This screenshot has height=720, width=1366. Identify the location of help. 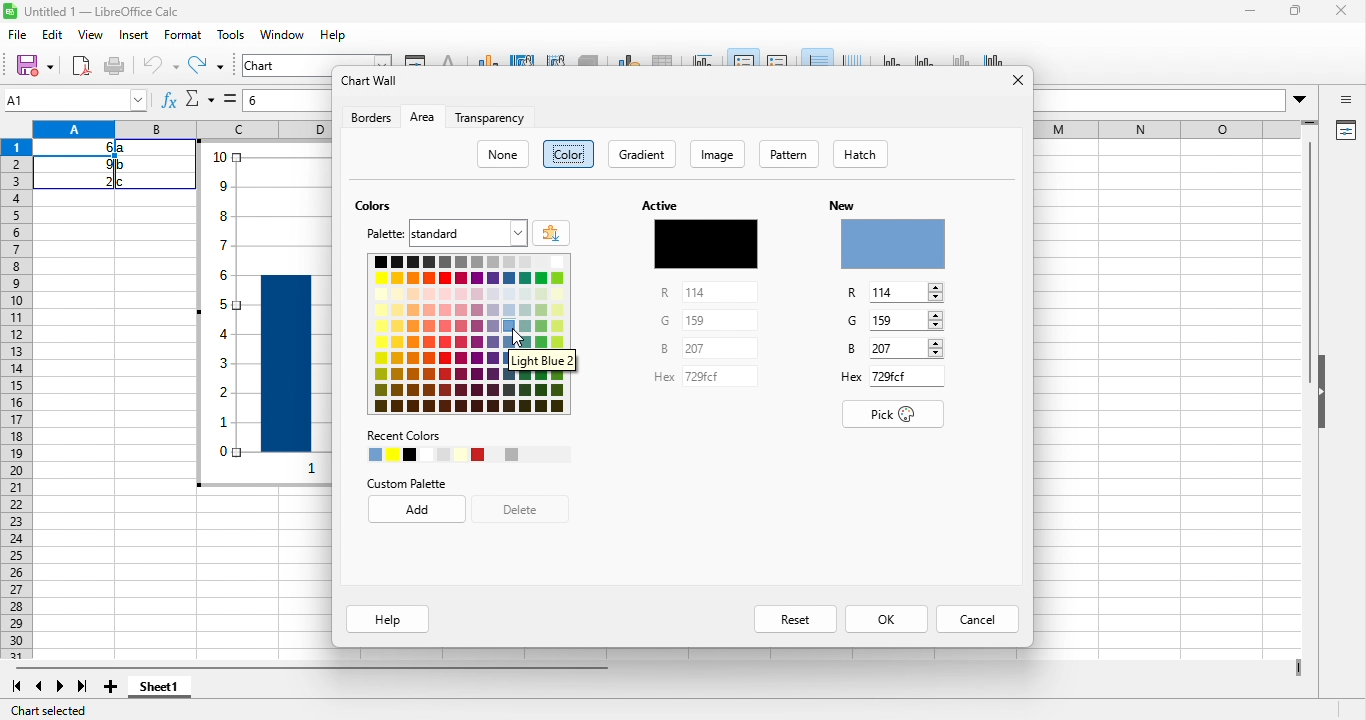
(332, 36).